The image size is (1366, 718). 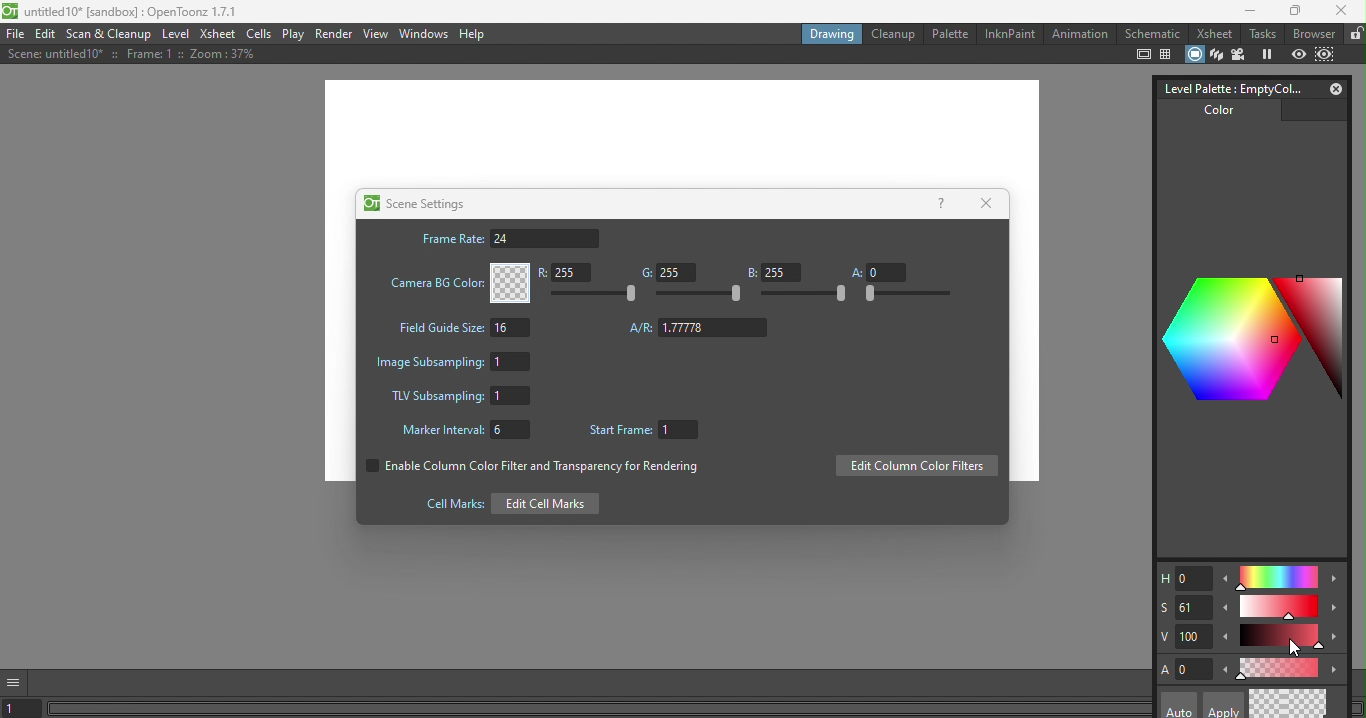 I want to click on Camera BG color, so click(x=457, y=283).